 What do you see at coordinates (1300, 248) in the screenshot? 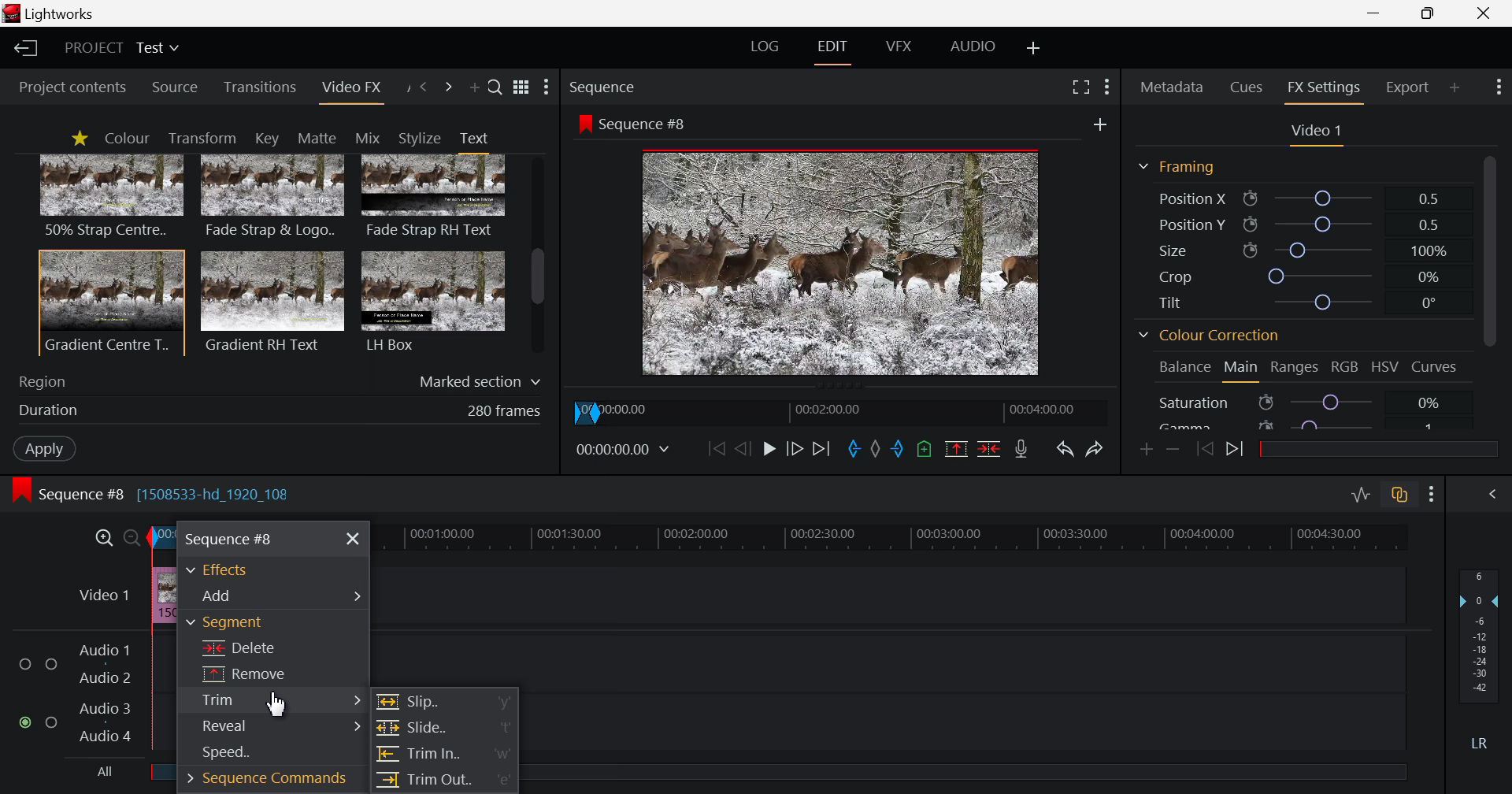
I see `Size` at bounding box center [1300, 248].